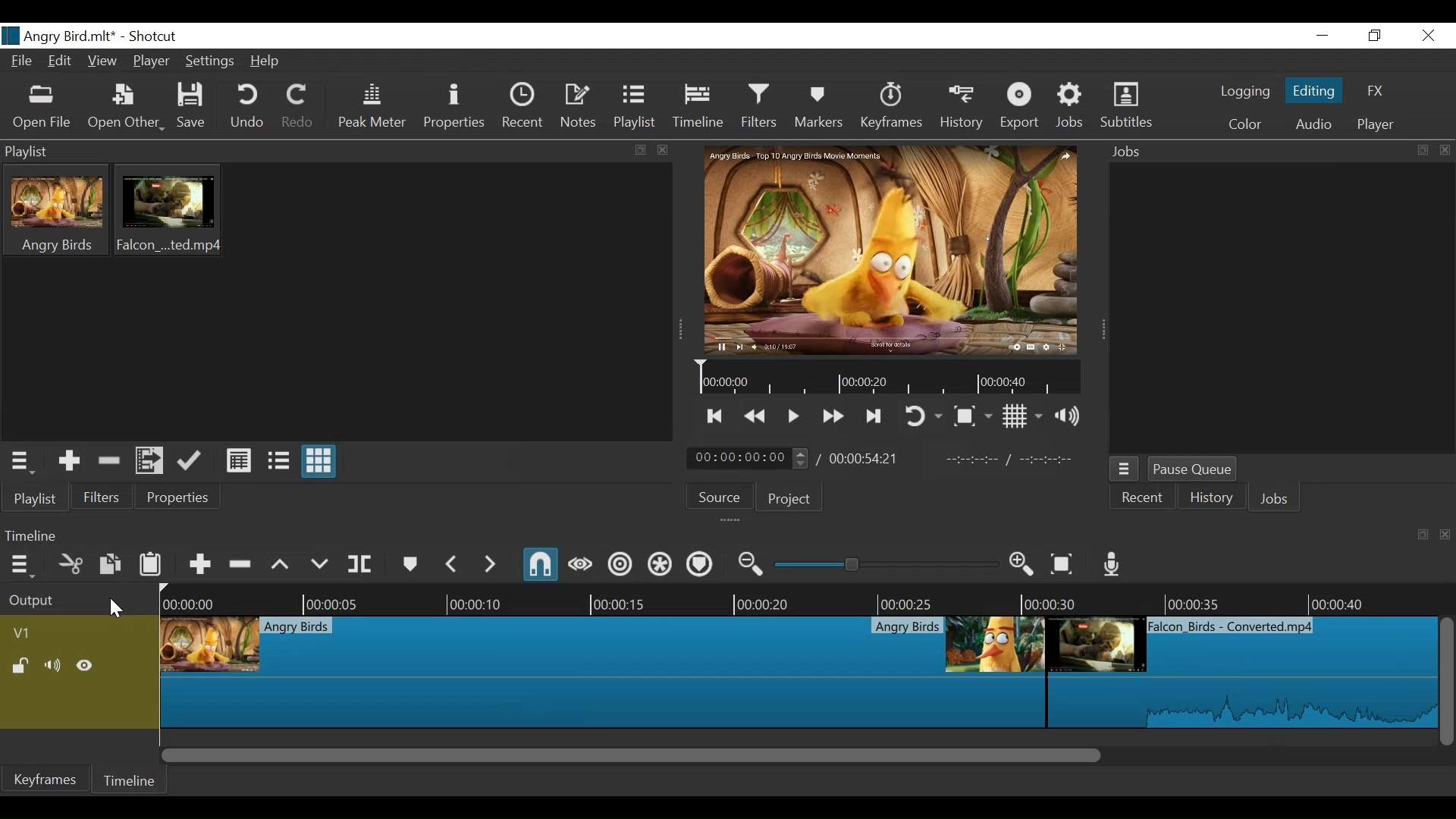  What do you see at coordinates (151, 563) in the screenshot?
I see `Paste` at bounding box center [151, 563].